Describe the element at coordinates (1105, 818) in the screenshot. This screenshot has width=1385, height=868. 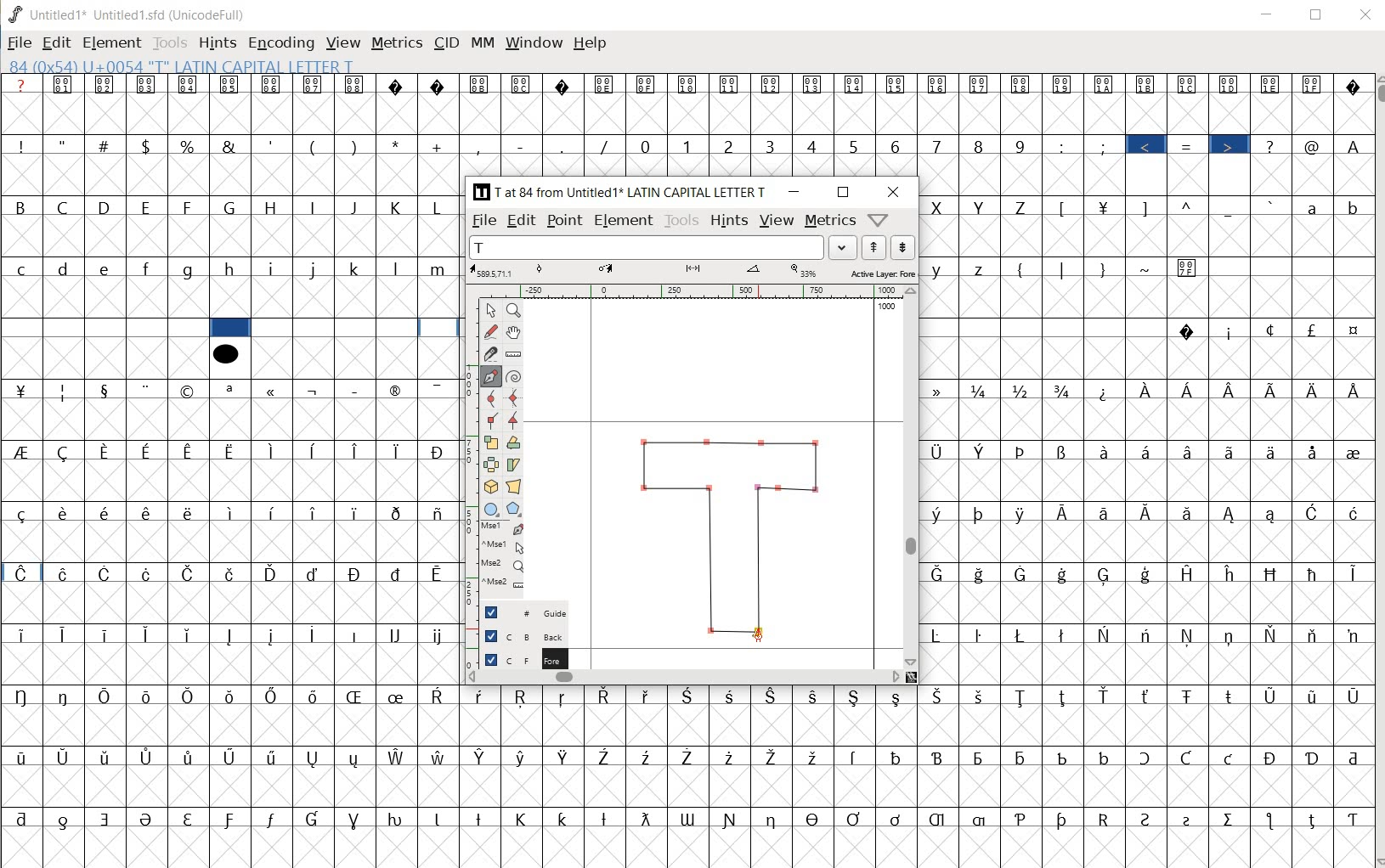
I see `Symbol` at that location.